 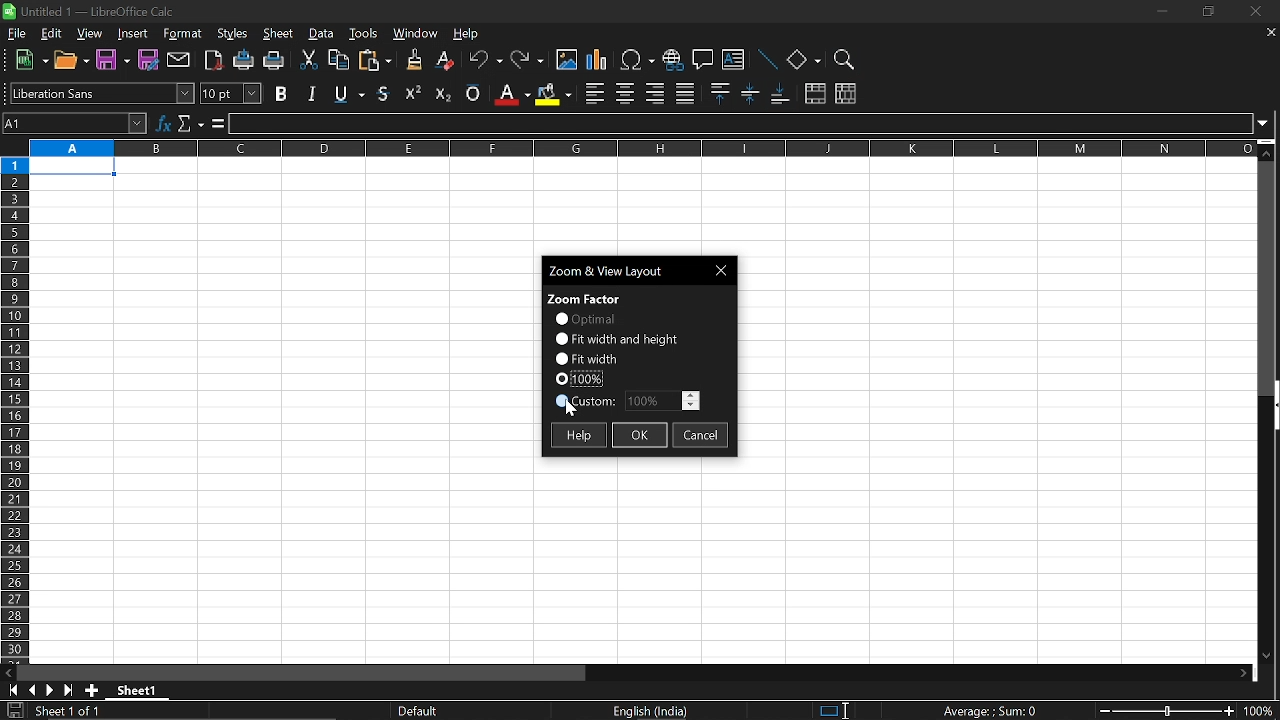 I want to click on current sheet, so click(x=78, y=712).